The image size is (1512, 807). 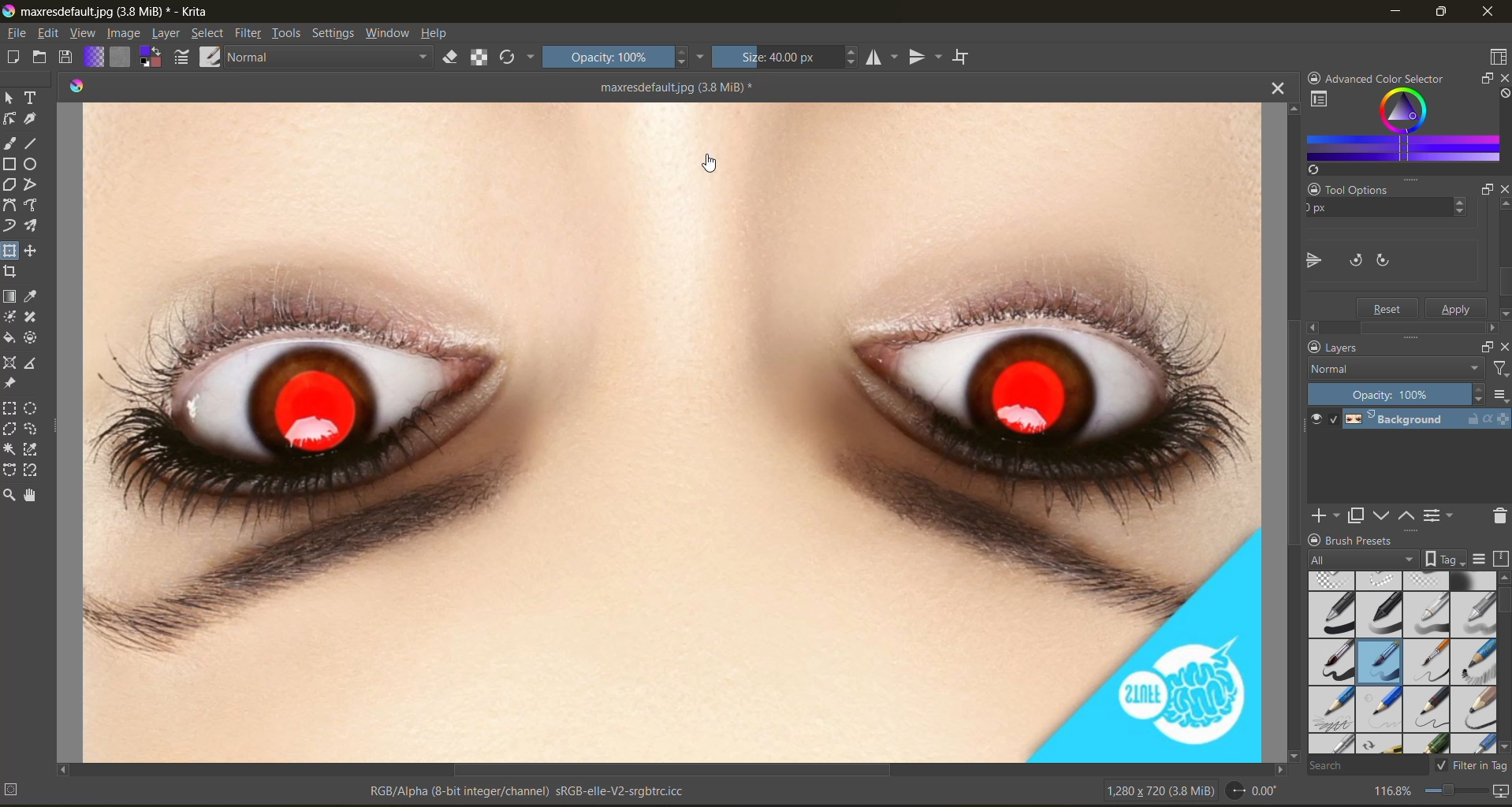 I want to click on save, so click(x=70, y=56).